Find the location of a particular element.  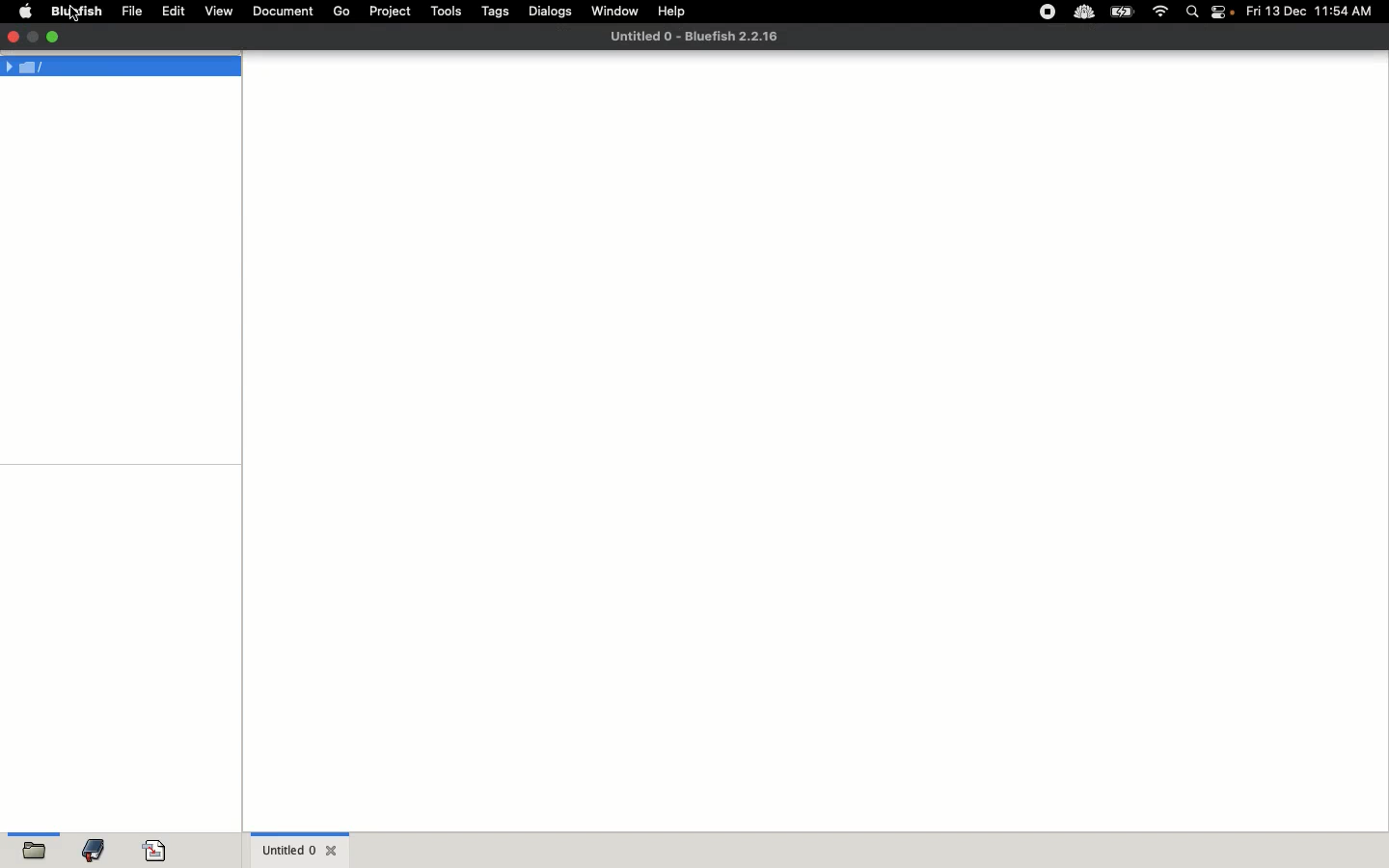

Window is located at coordinates (616, 14).